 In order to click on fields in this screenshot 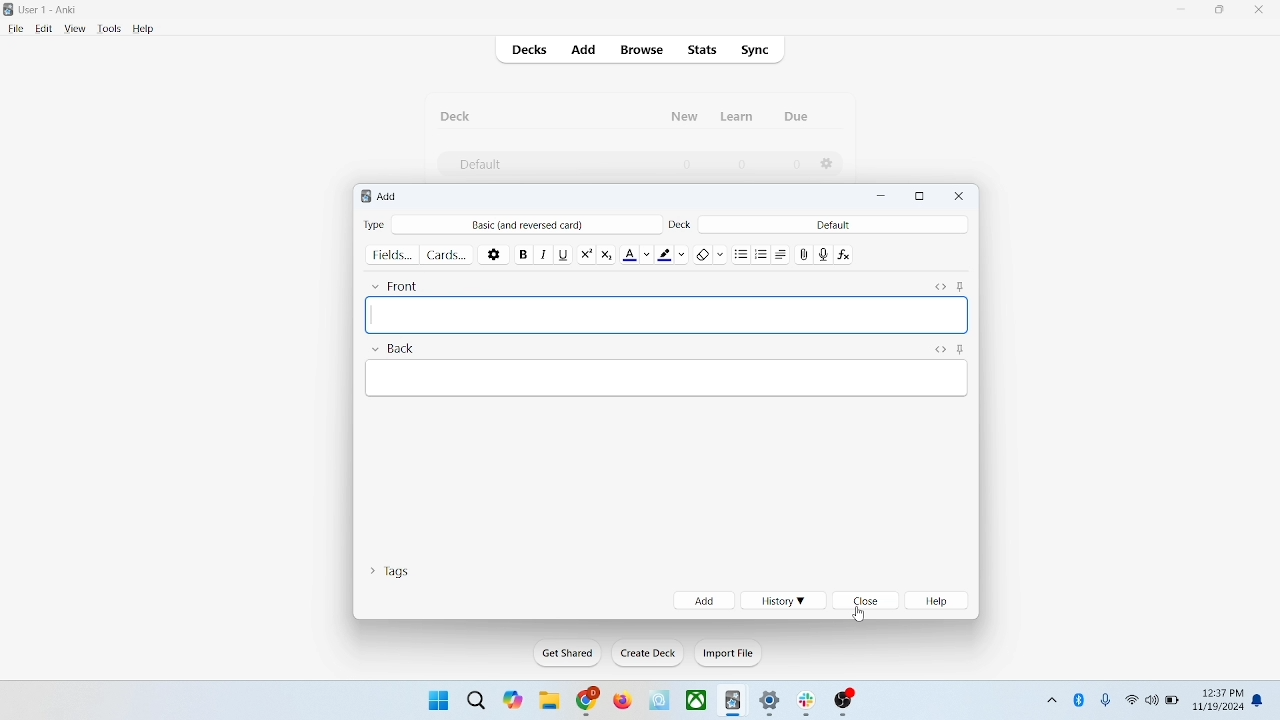, I will do `click(392, 253)`.